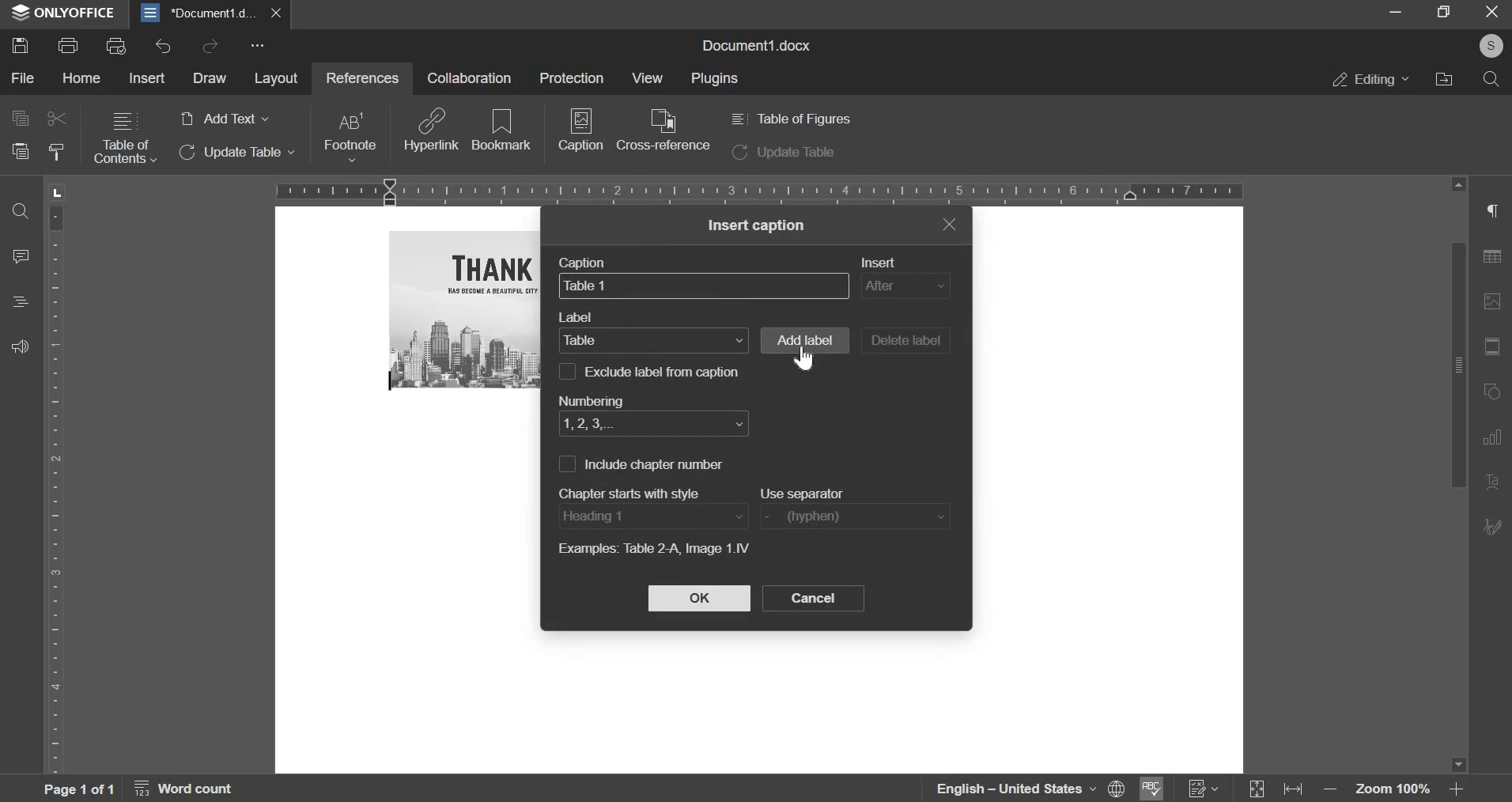 This screenshot has width=1512, height=802. Describe the element at coordinates (1334, 793) in the screenshot. I see `Zoom out` at that location.